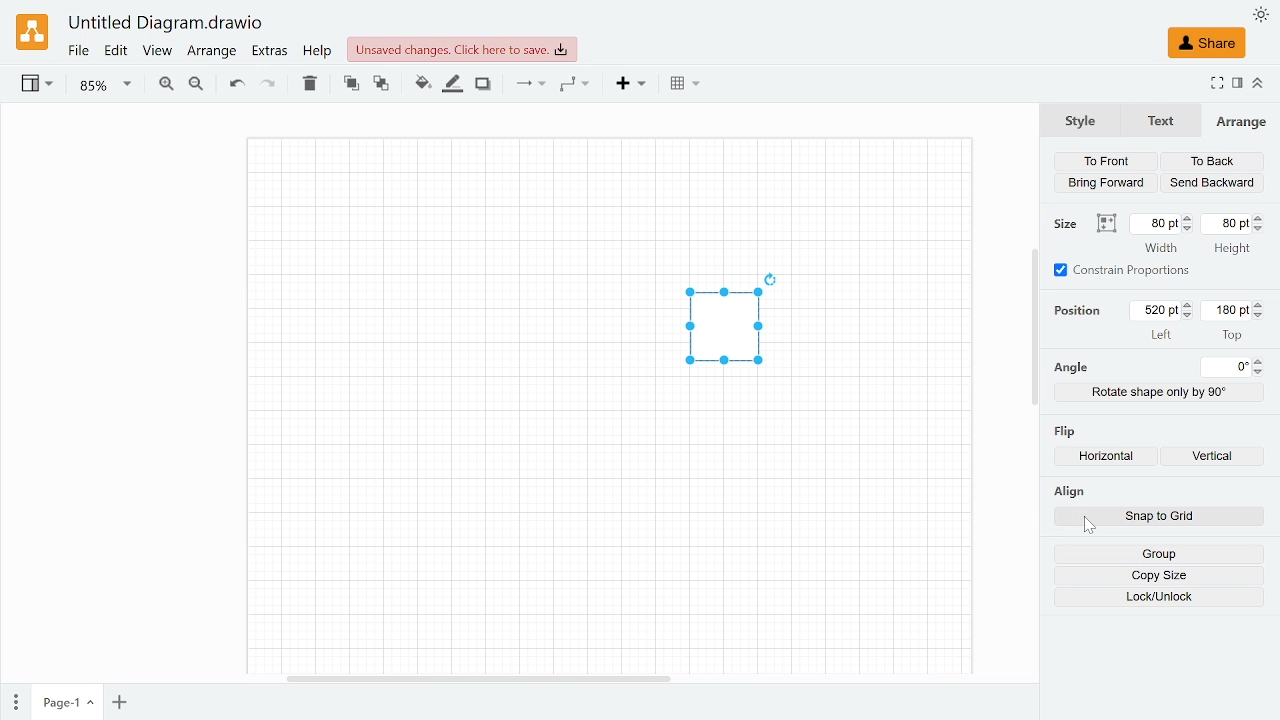 The width and height of the screenshot is (1280, 720). Describe the element at coordinates (1183, 518) in the screenshot. I see `Snap to grid` at that location.